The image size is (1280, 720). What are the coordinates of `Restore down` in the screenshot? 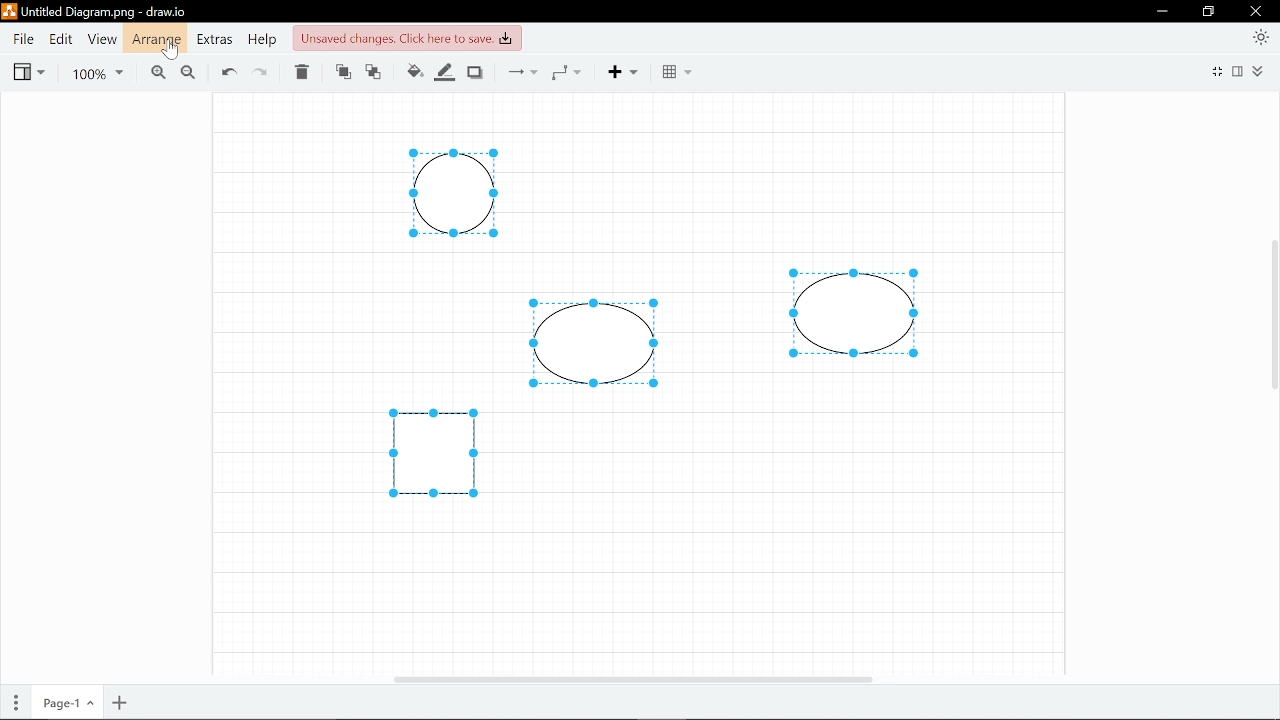 It's located at (1209, 12).